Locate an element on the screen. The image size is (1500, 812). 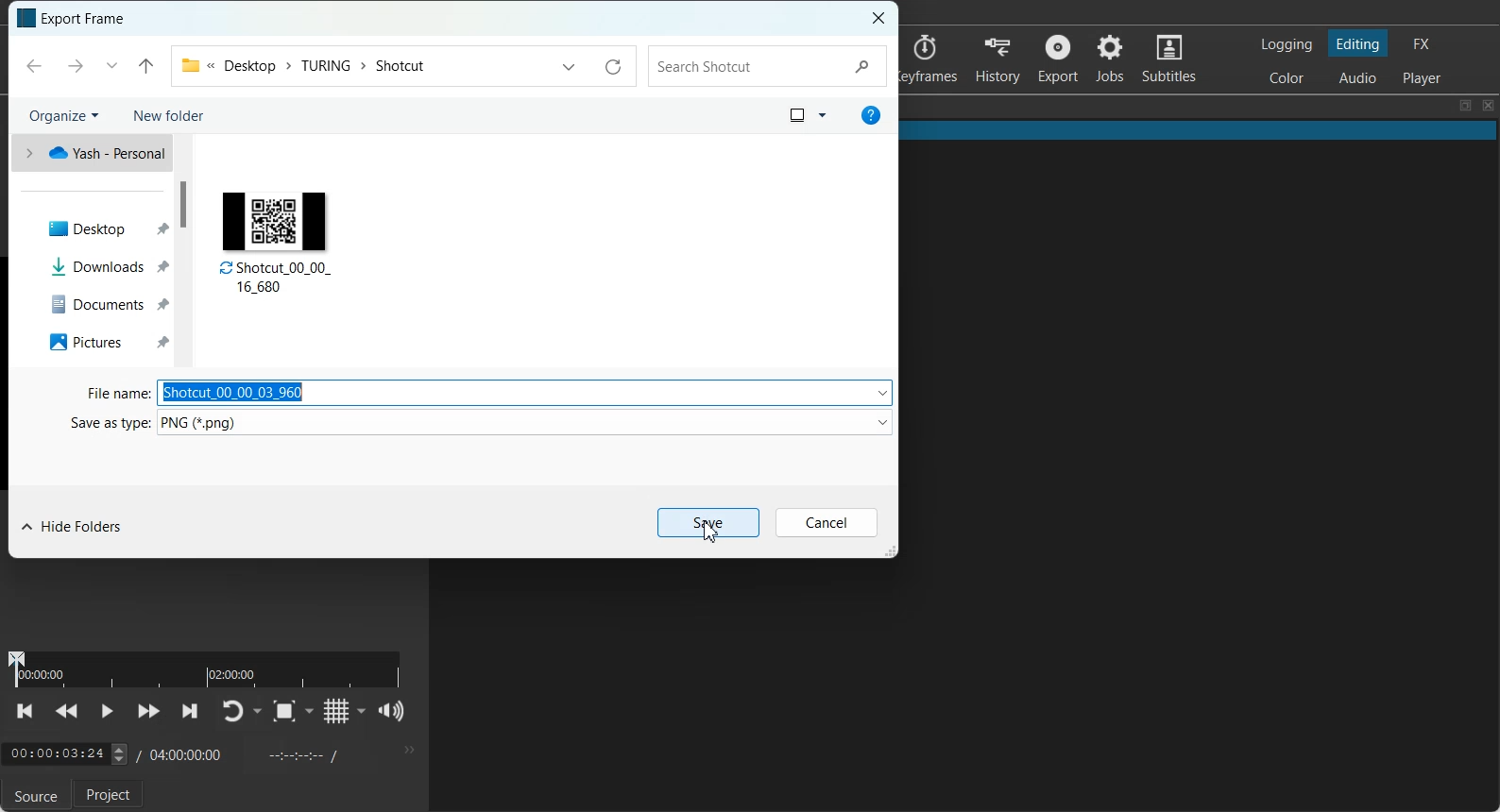
Search Bar is located at coordinates (771, 65).